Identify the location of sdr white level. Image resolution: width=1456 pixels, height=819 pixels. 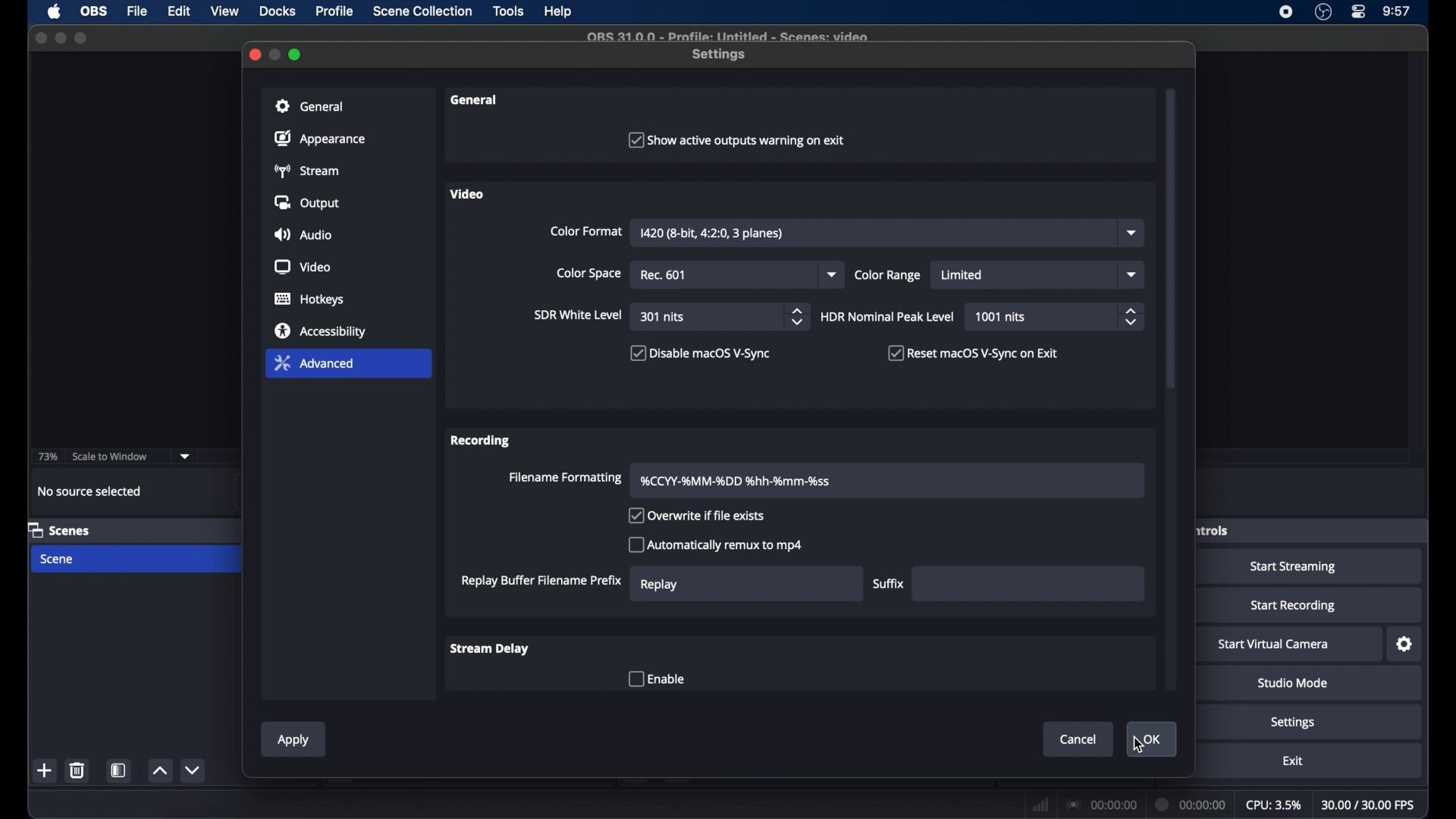
(579, 314).